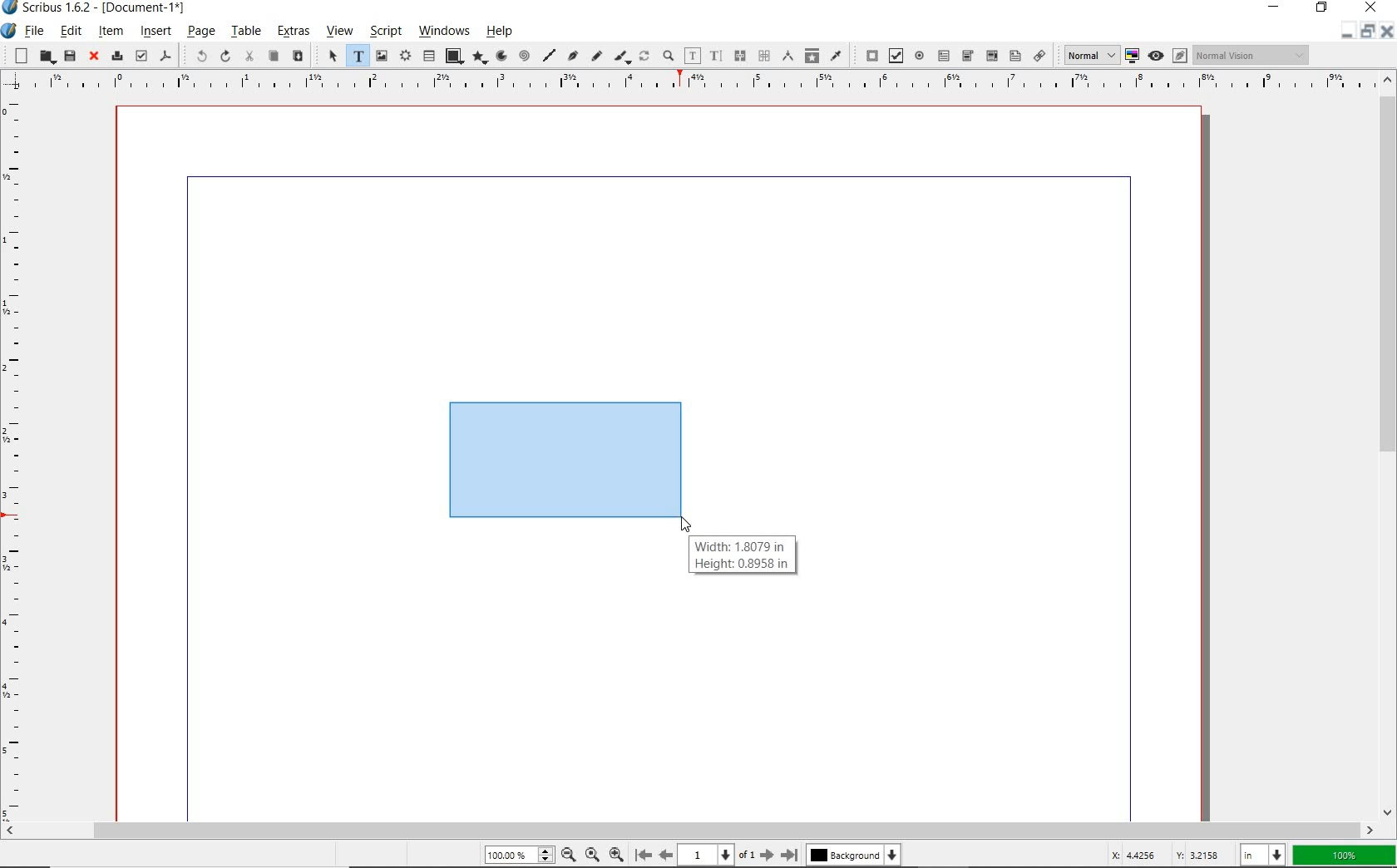 Image resolution: width=1397 pixels, height=868 pixels. What do you see at coordinates (381, 55) in the screenshot?
I see `image frame` at bounding box center [381, 55].